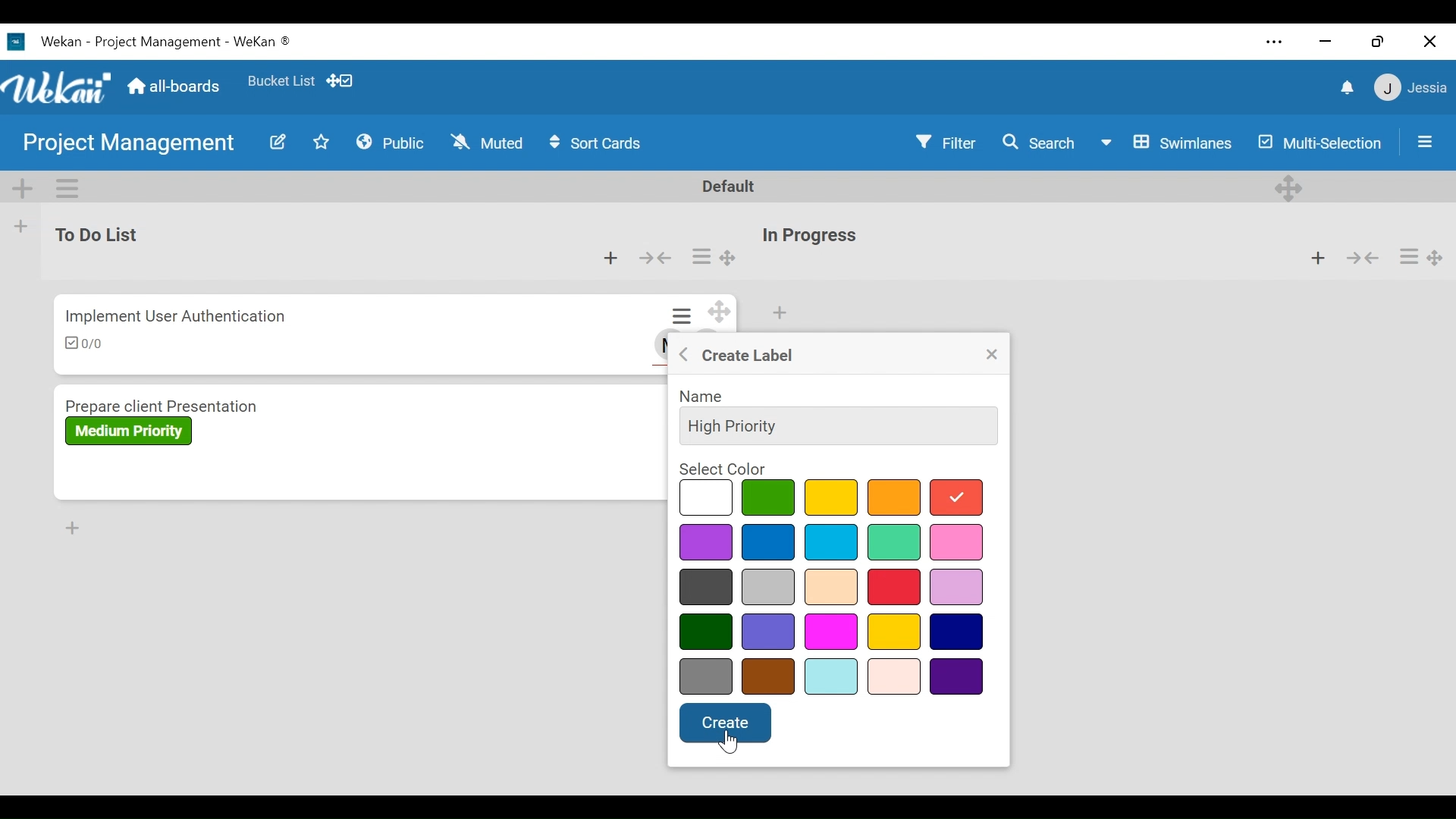 This screenshot has height=819, width=1456. I want to click on Create label, so click(749, 354).